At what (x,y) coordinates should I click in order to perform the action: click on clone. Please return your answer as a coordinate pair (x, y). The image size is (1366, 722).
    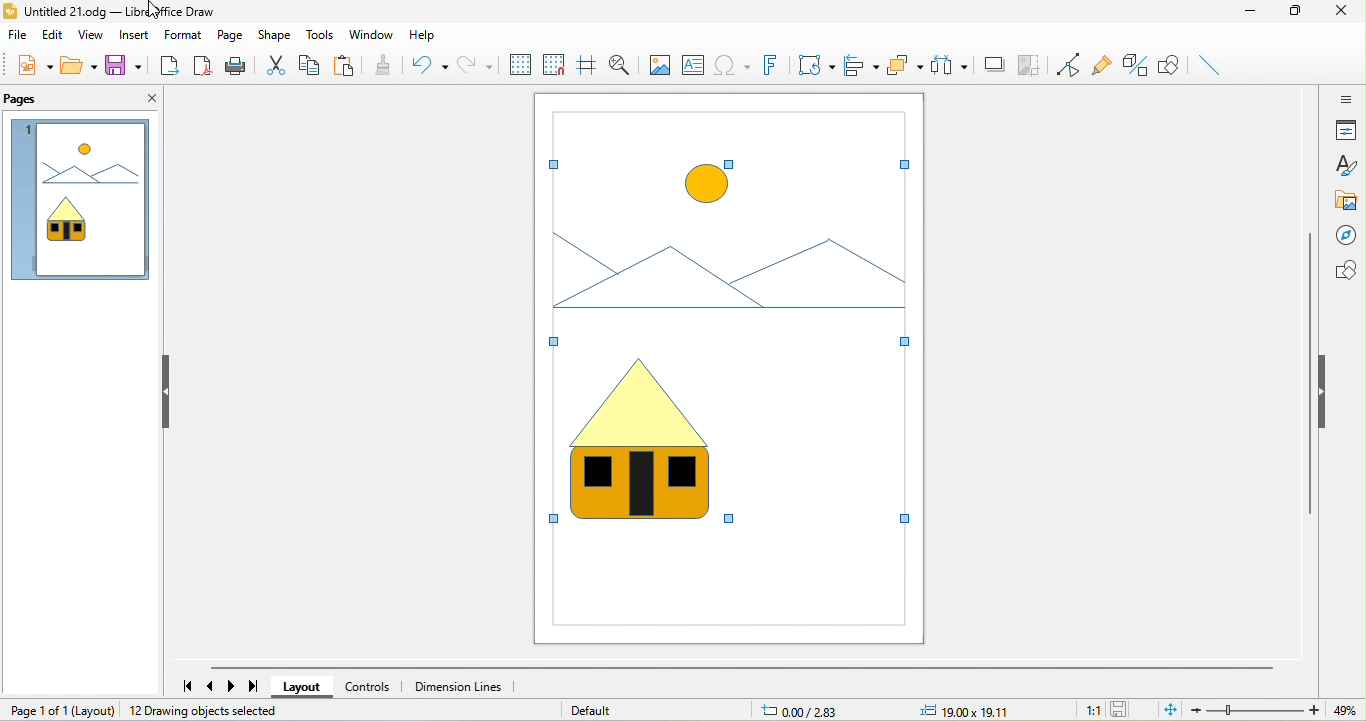
    Looking at the image, I should click on (397, 66).